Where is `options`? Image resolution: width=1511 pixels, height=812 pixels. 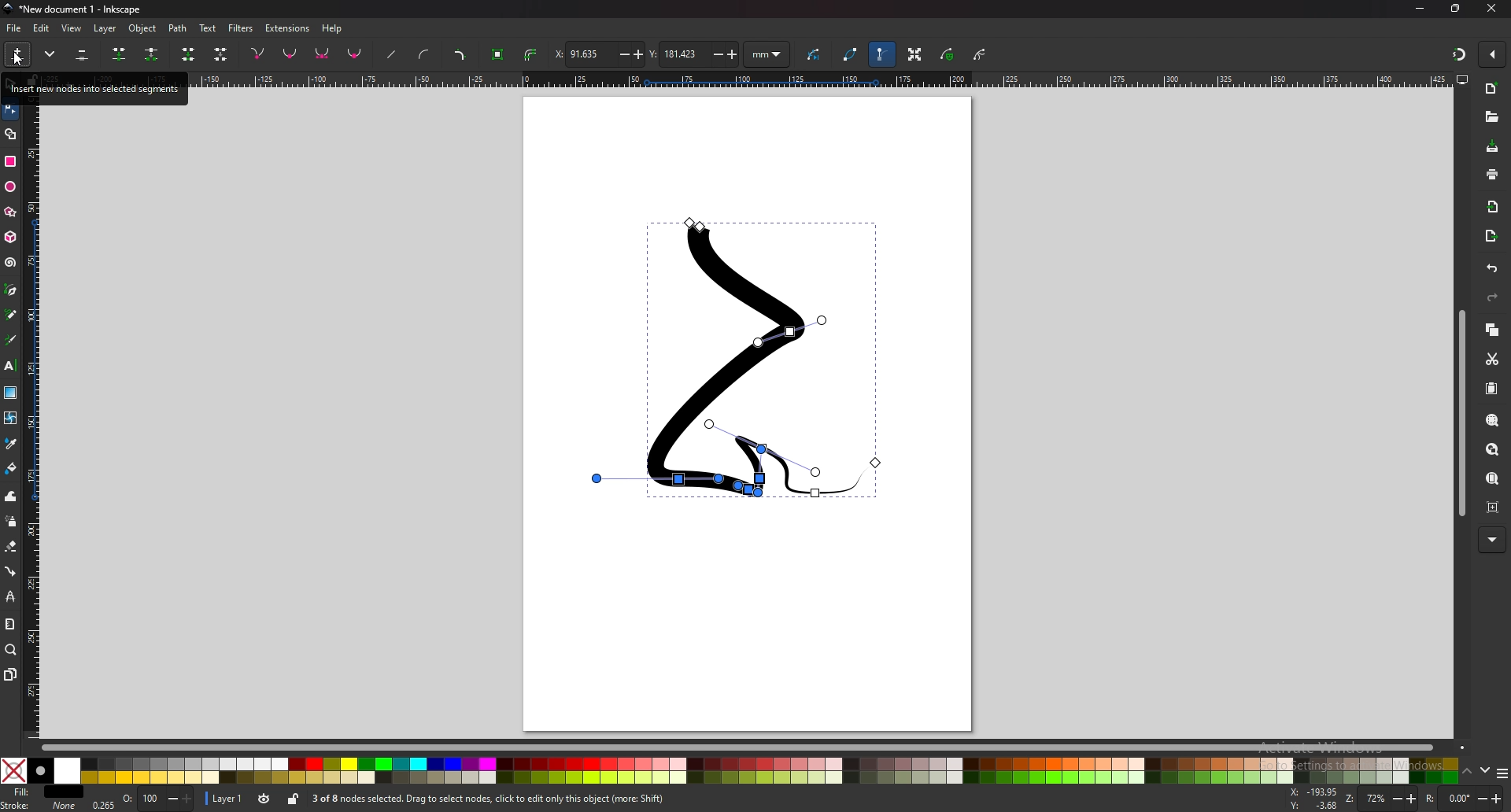 options is located at coordinates (1502, 773).